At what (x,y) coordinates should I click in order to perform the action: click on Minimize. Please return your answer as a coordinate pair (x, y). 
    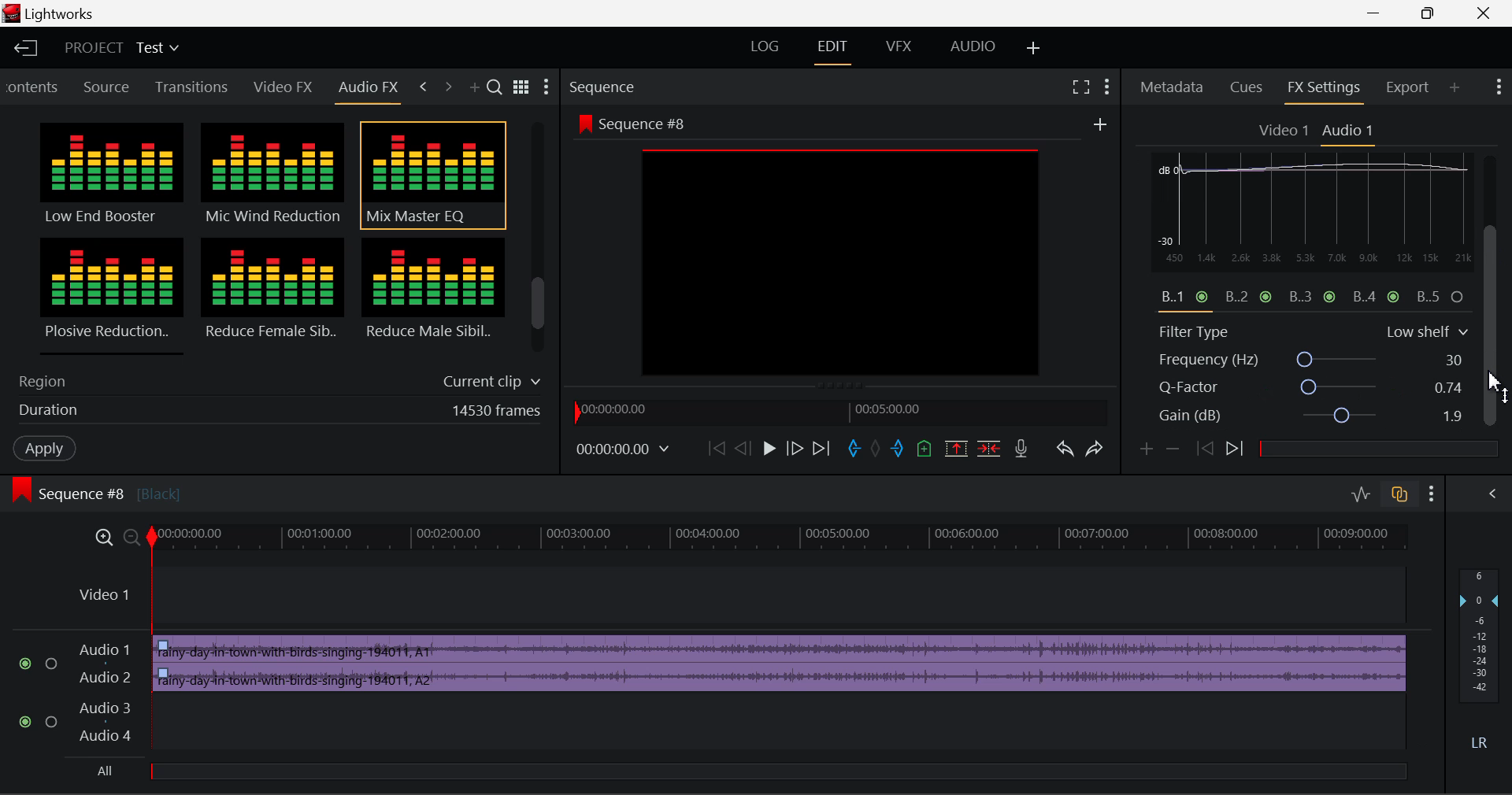
    Looking at the image, I should click on (1435, 13).